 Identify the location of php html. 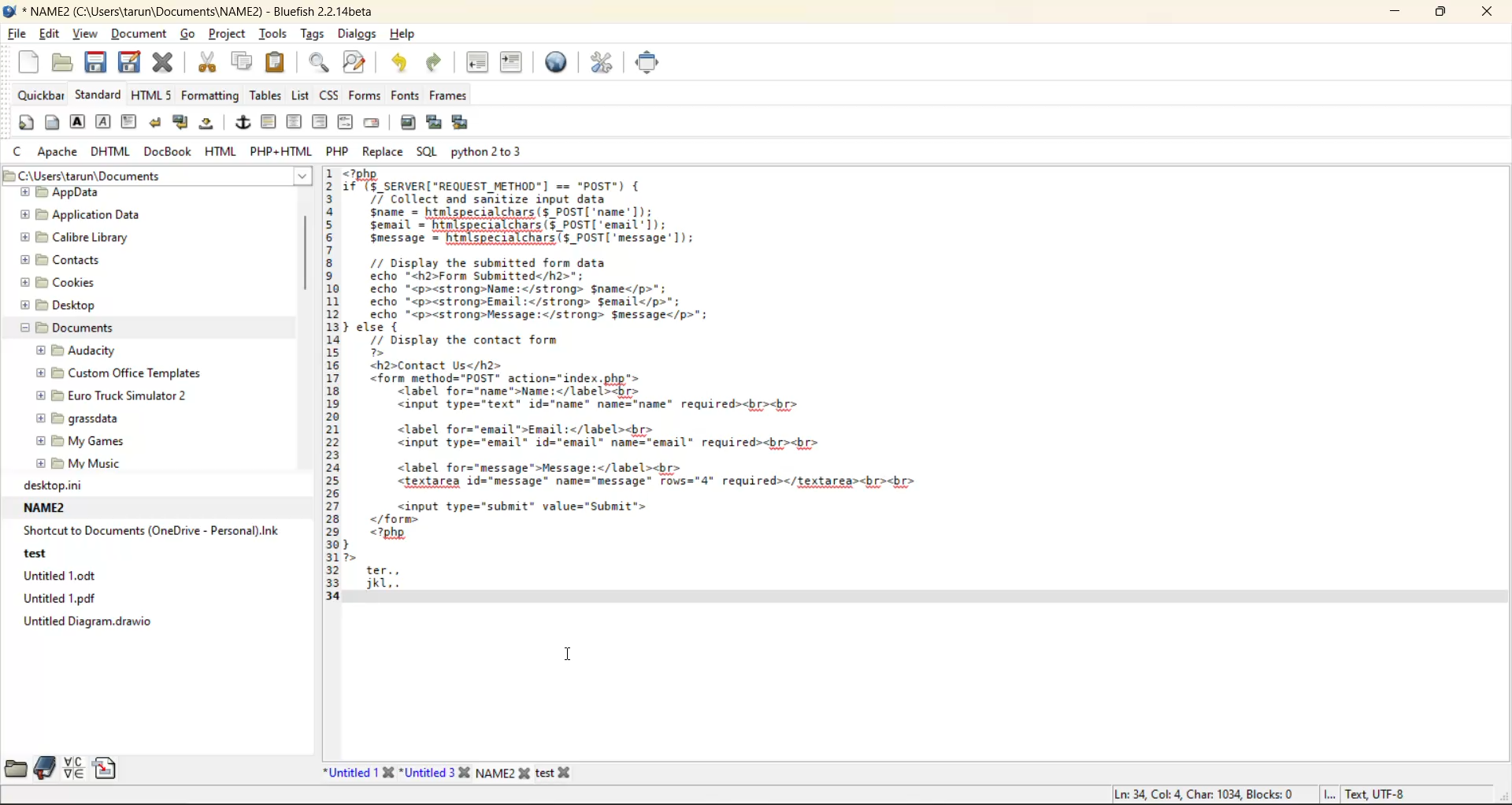
(283, 151).